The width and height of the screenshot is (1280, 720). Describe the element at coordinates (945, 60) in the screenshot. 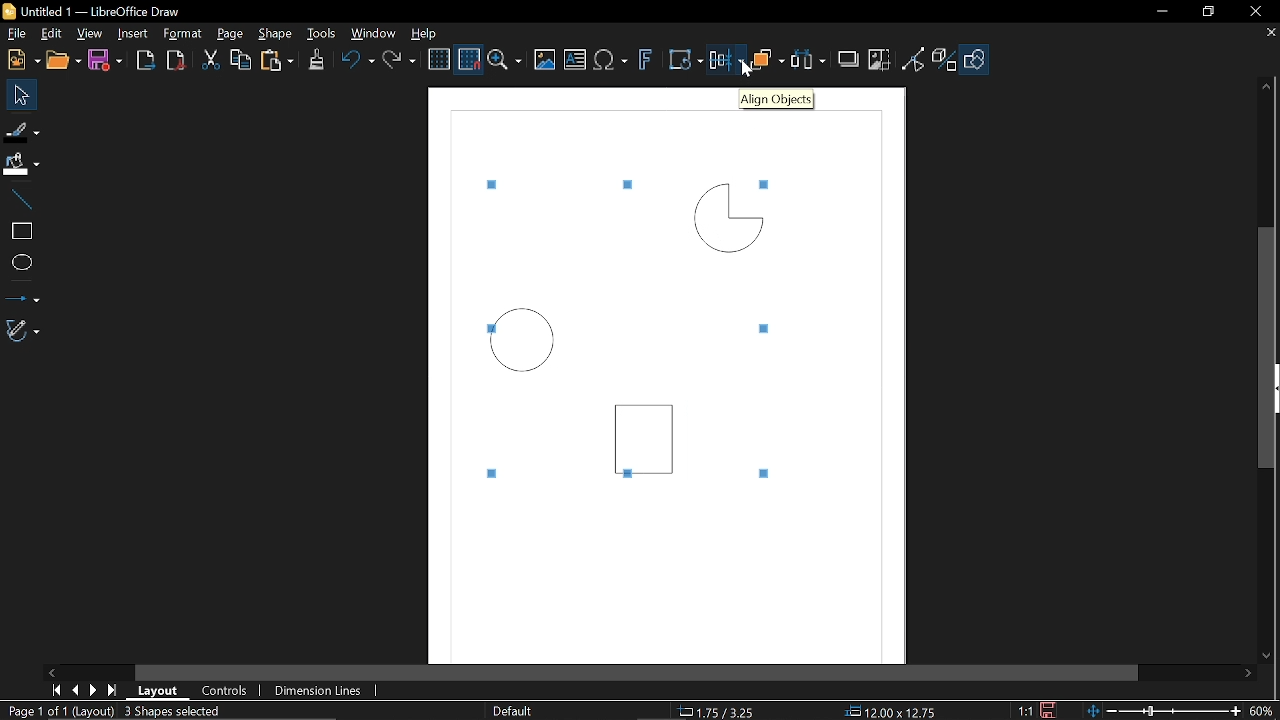

I see `Toggle extrusion` at that location.